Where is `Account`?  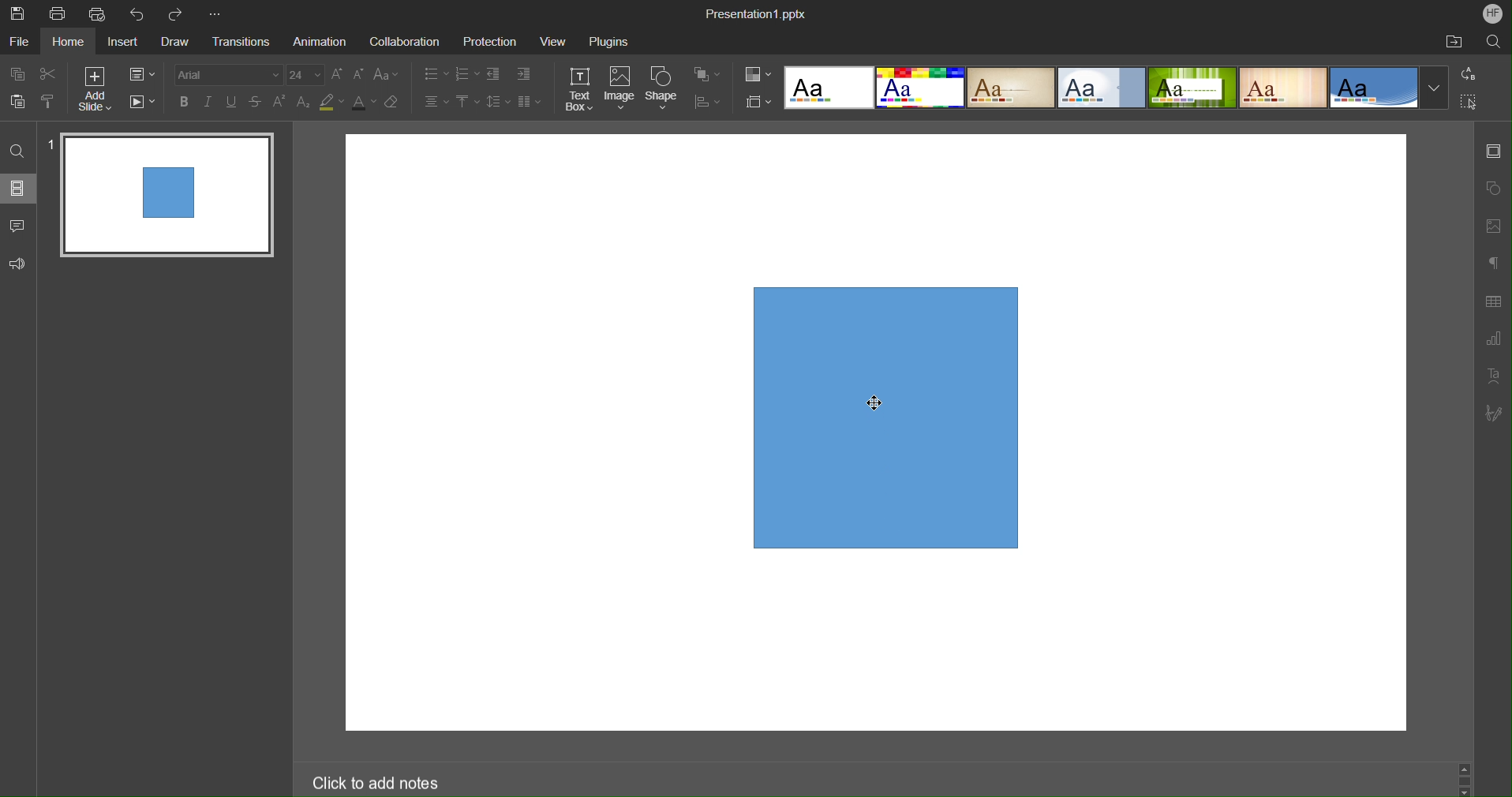
Account is located at coordinates (1491, 15).